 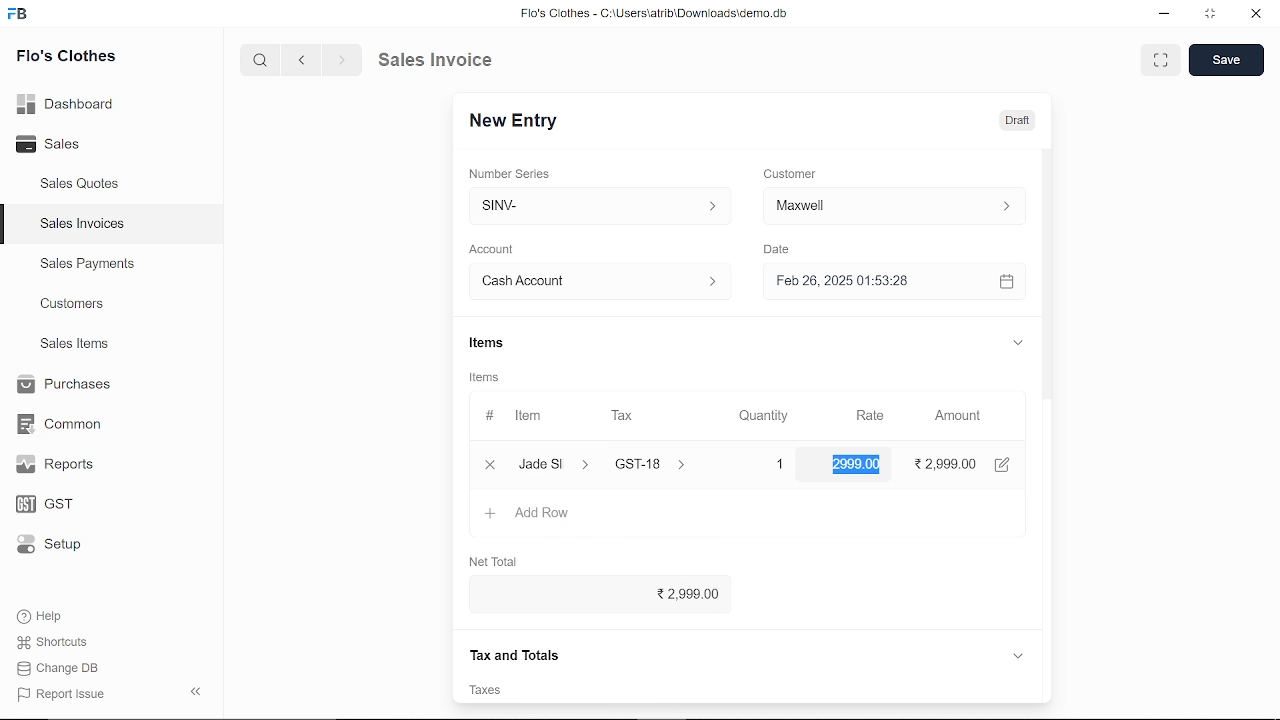 I want to click on , so click(x=487, y=379).